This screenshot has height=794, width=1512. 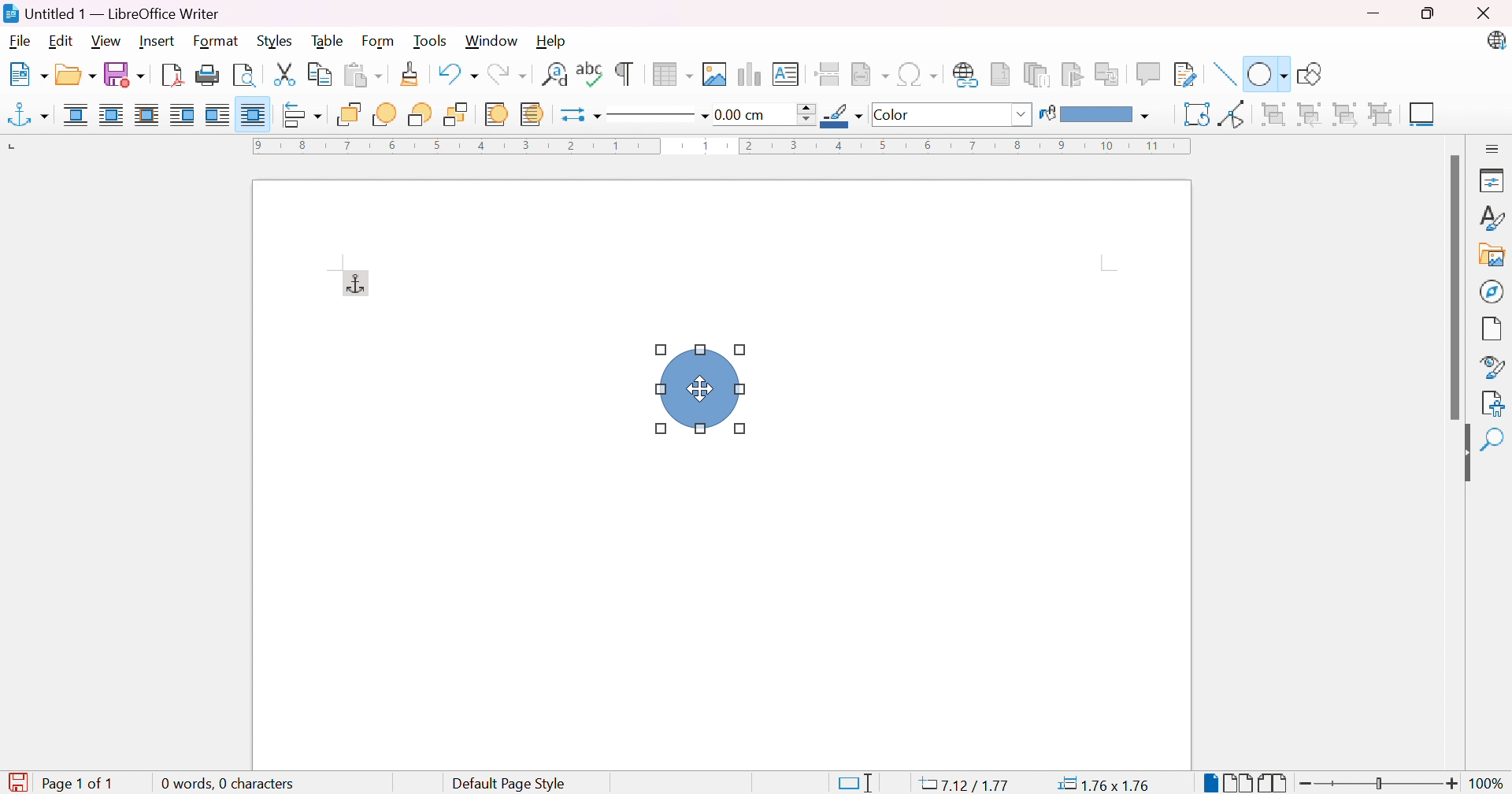 What do you see at coordinates (457, 115) in the screenshot?
I see `Send to back` at bounding box center [457, 115].